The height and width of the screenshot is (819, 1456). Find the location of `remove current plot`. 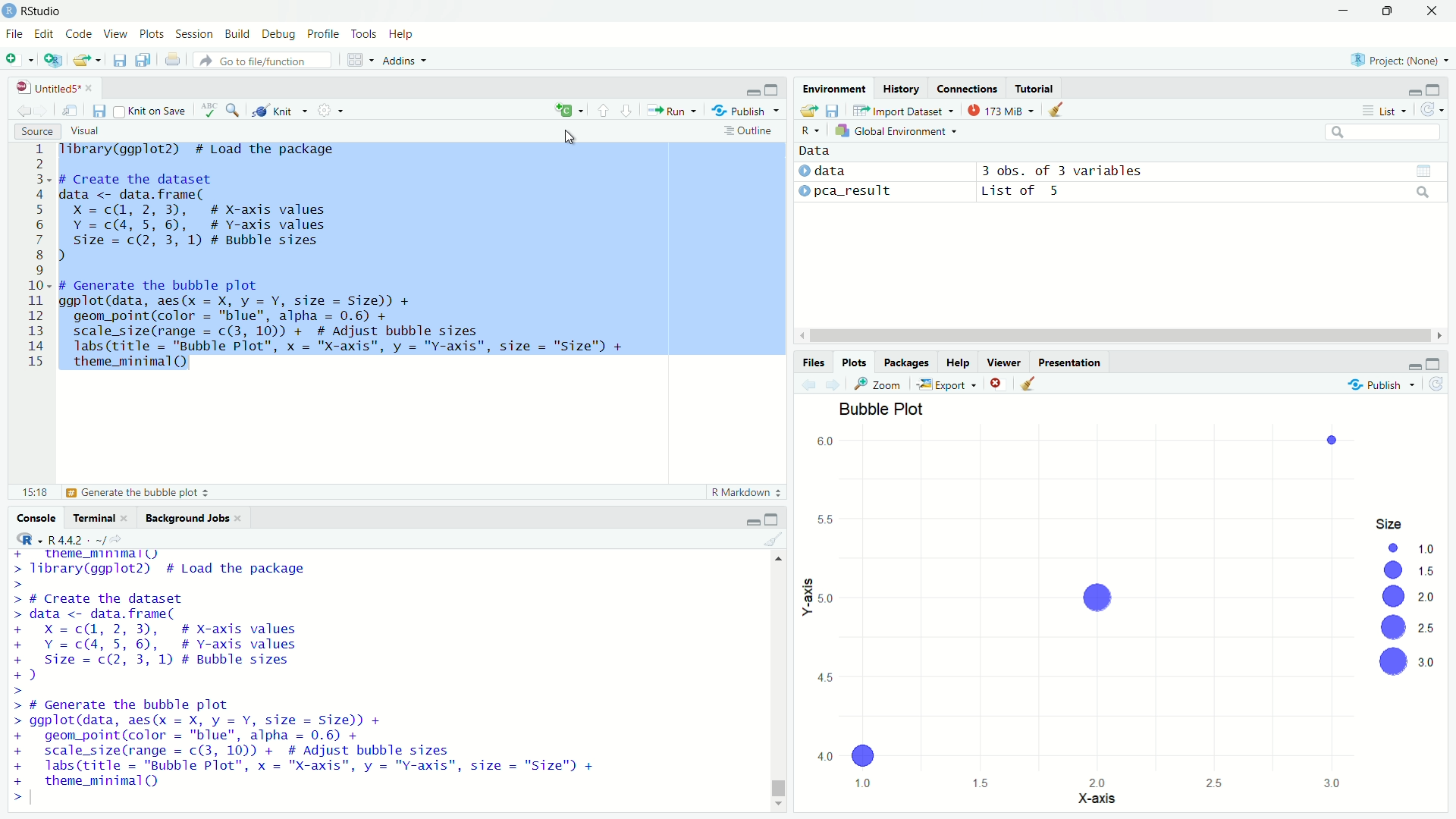

remove current plot is located at coordinates (998, 384).